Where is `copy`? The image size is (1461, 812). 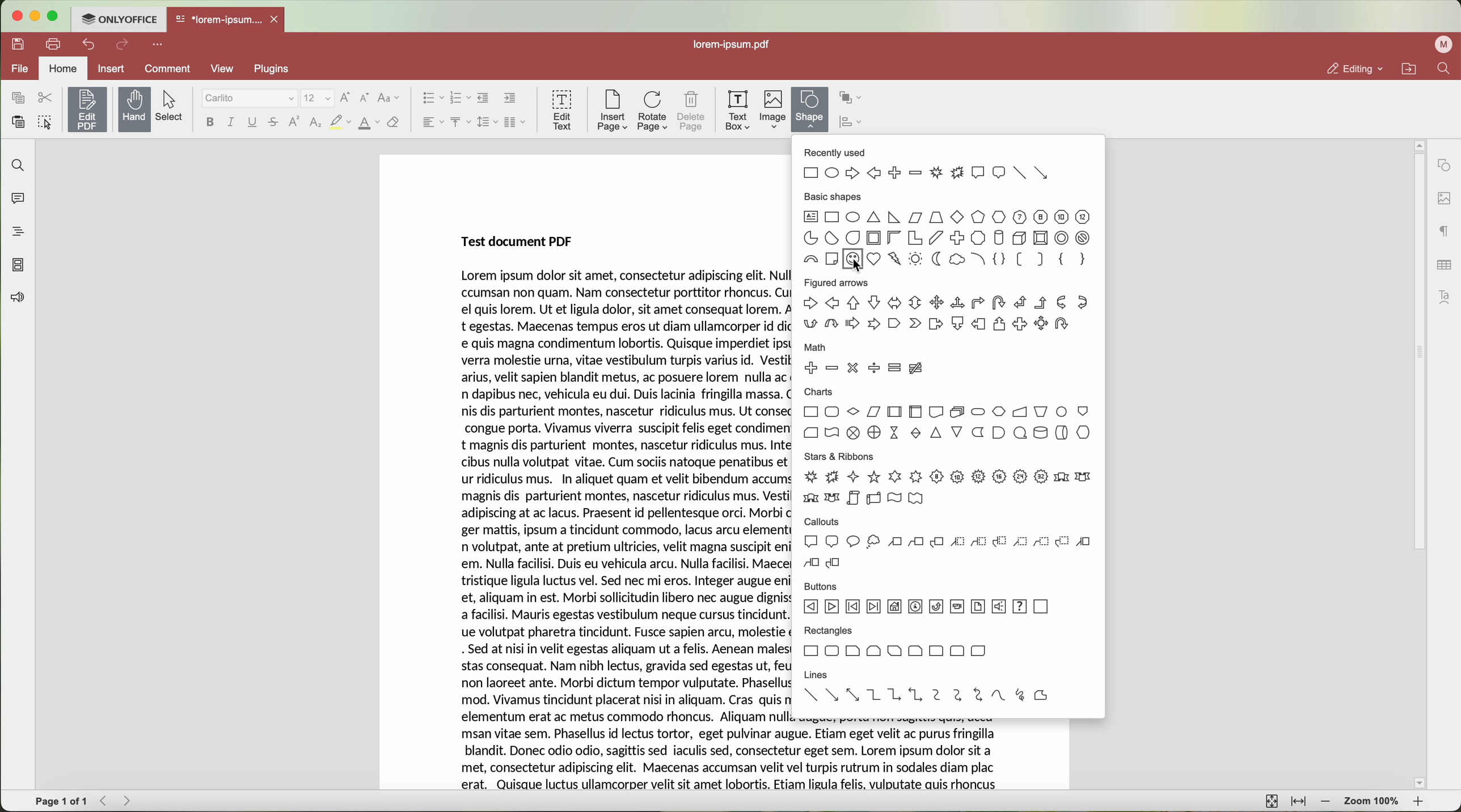
copy is located at coordinates (15, 97).